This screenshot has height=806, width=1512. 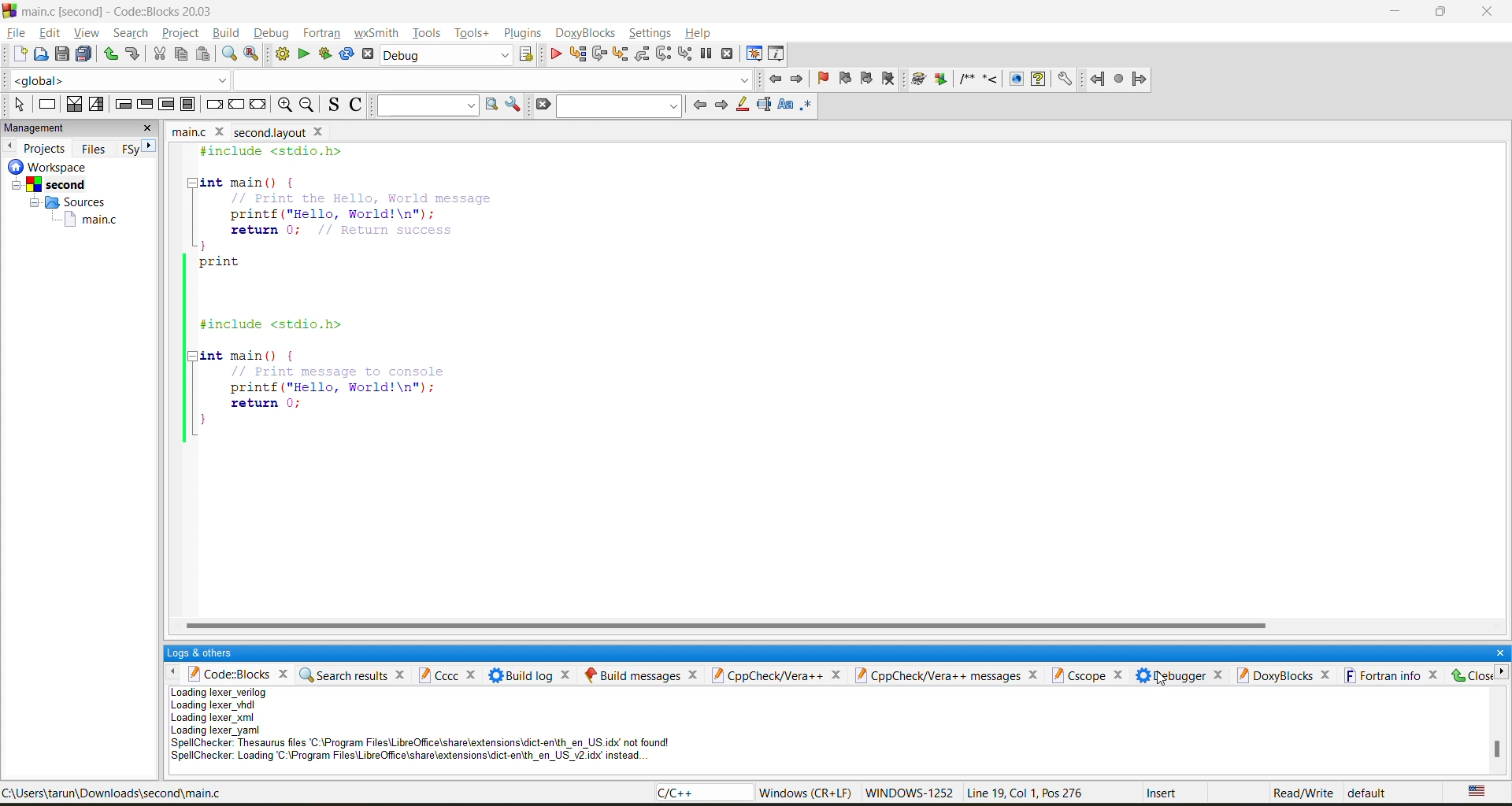 What do you see at coordinates (354, 672) in the screenshot?
I see `search results` at bounding box center [354, 672].